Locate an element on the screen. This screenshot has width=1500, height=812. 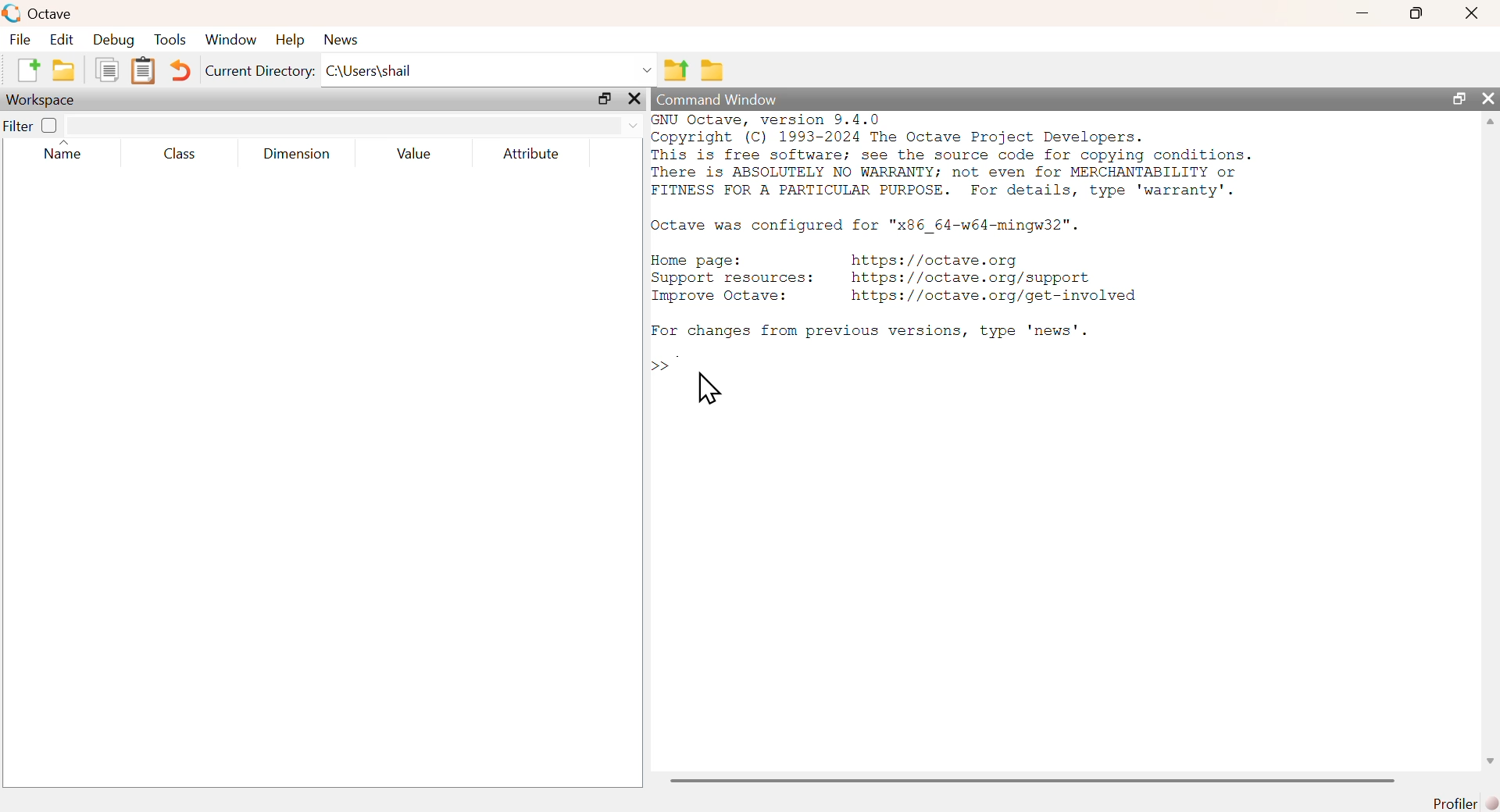
new script is located at coordinates (27, 69).